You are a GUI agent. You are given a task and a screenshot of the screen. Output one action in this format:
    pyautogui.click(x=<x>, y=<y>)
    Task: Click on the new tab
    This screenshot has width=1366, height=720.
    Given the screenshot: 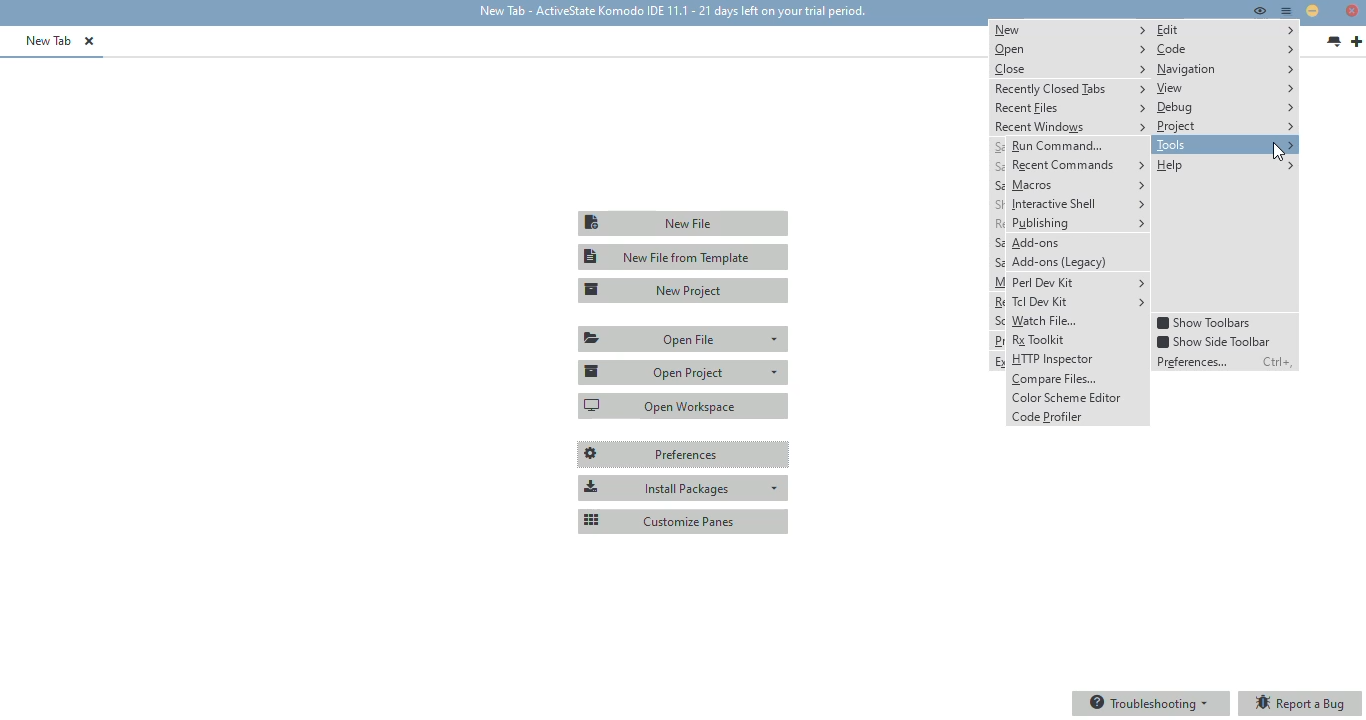 What is the action you would take?
    pyautogui.click(x=1356, y=42)
    